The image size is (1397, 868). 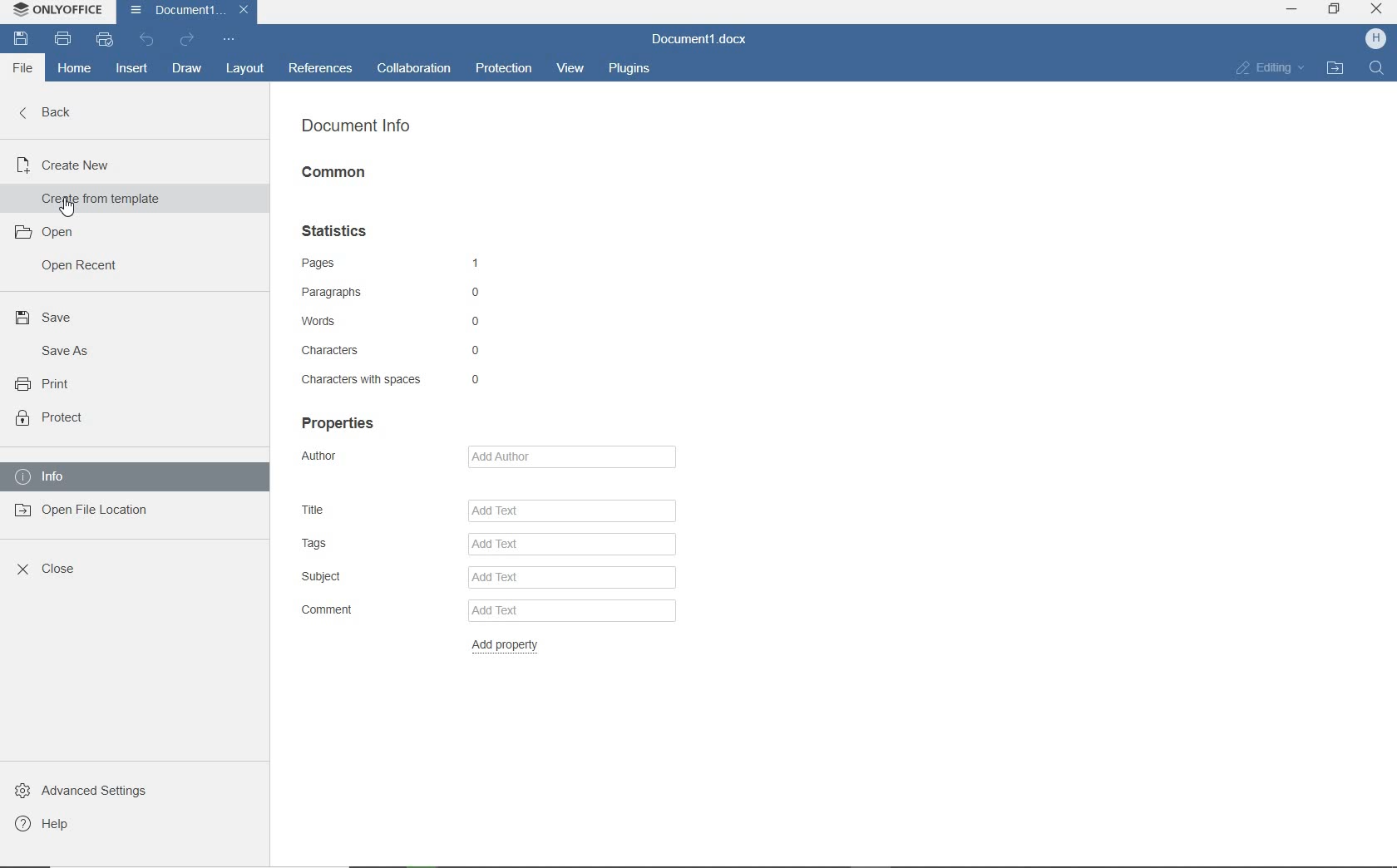 What do you see at coordinates (243, 68) in the screenshot?
I see `layout` at bounding box center [243, 68].